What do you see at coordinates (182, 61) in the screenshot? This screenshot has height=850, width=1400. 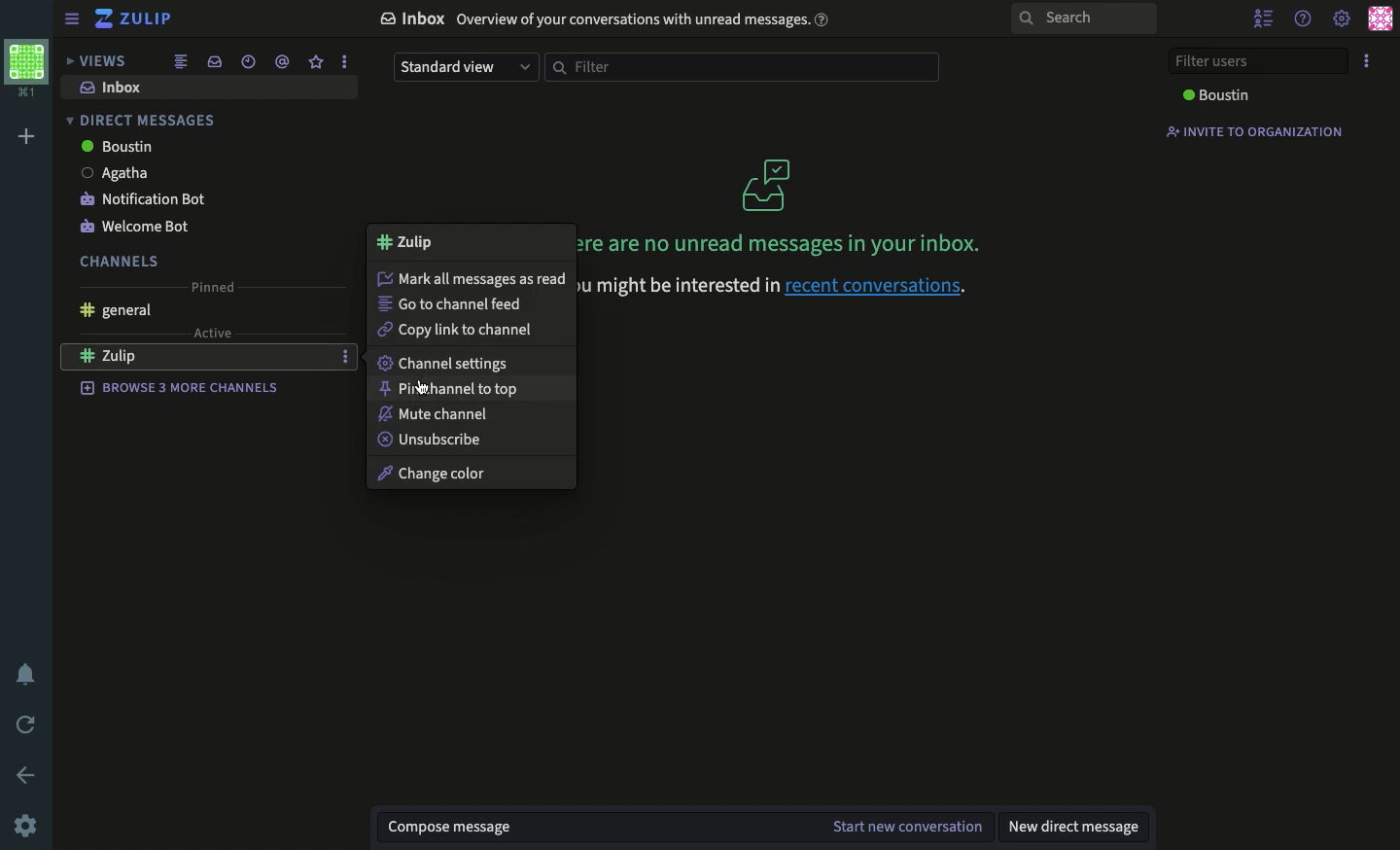 I see `combined feed` at bounding box center [182, 61].